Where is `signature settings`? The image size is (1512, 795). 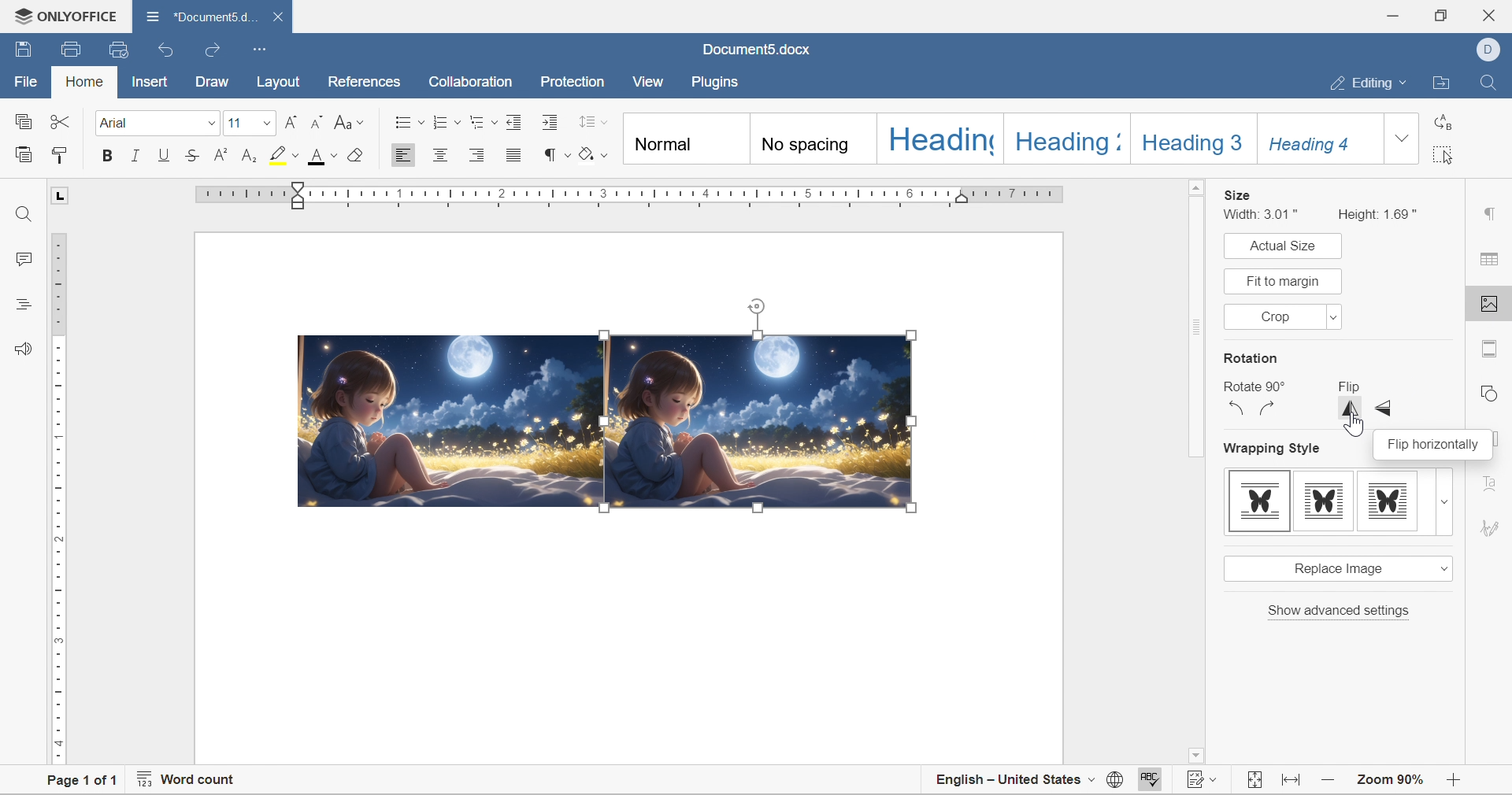 signature settings is located at coordinates (1493, 527).